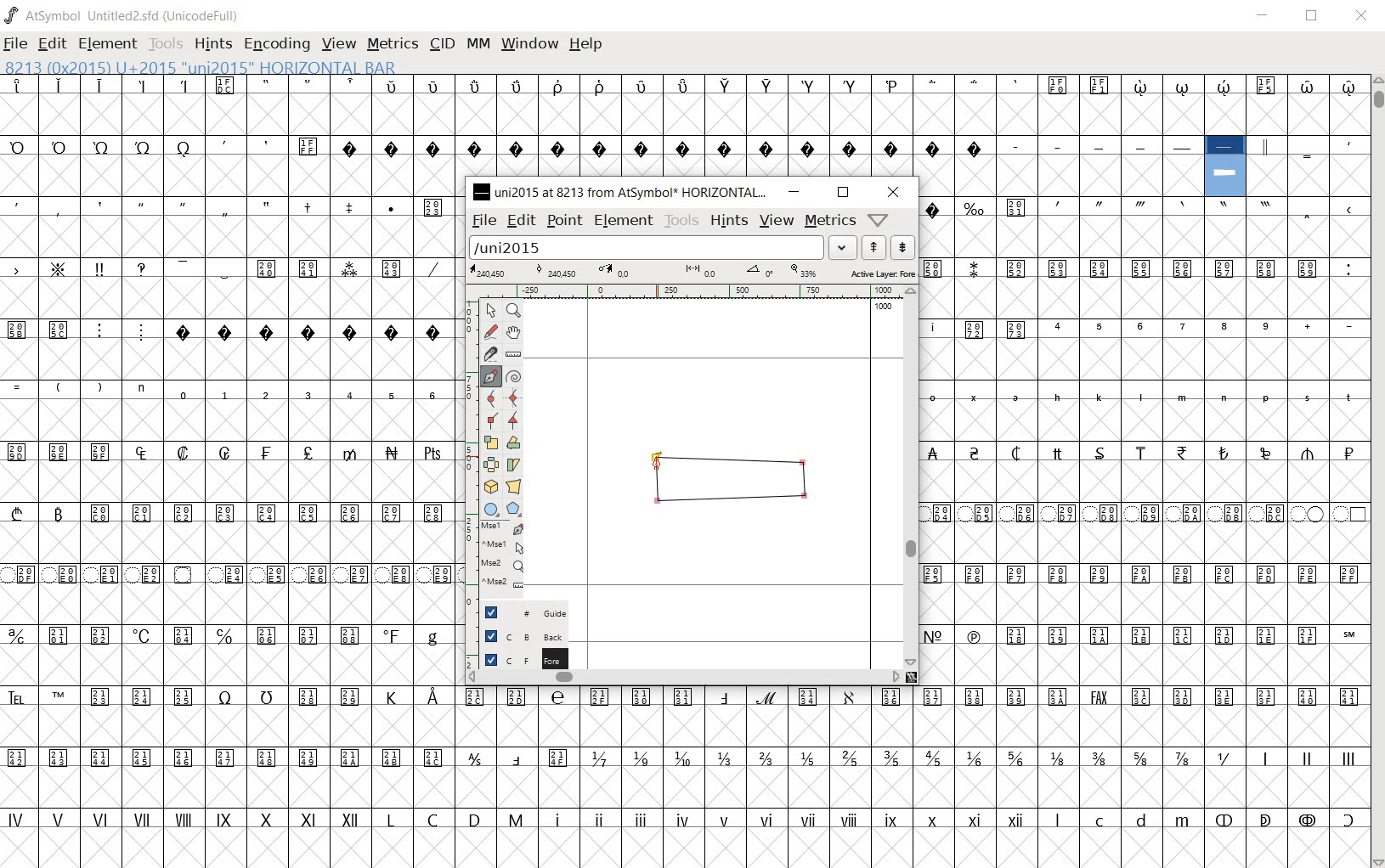  I want to click on TOOLS, so click(168, 45).